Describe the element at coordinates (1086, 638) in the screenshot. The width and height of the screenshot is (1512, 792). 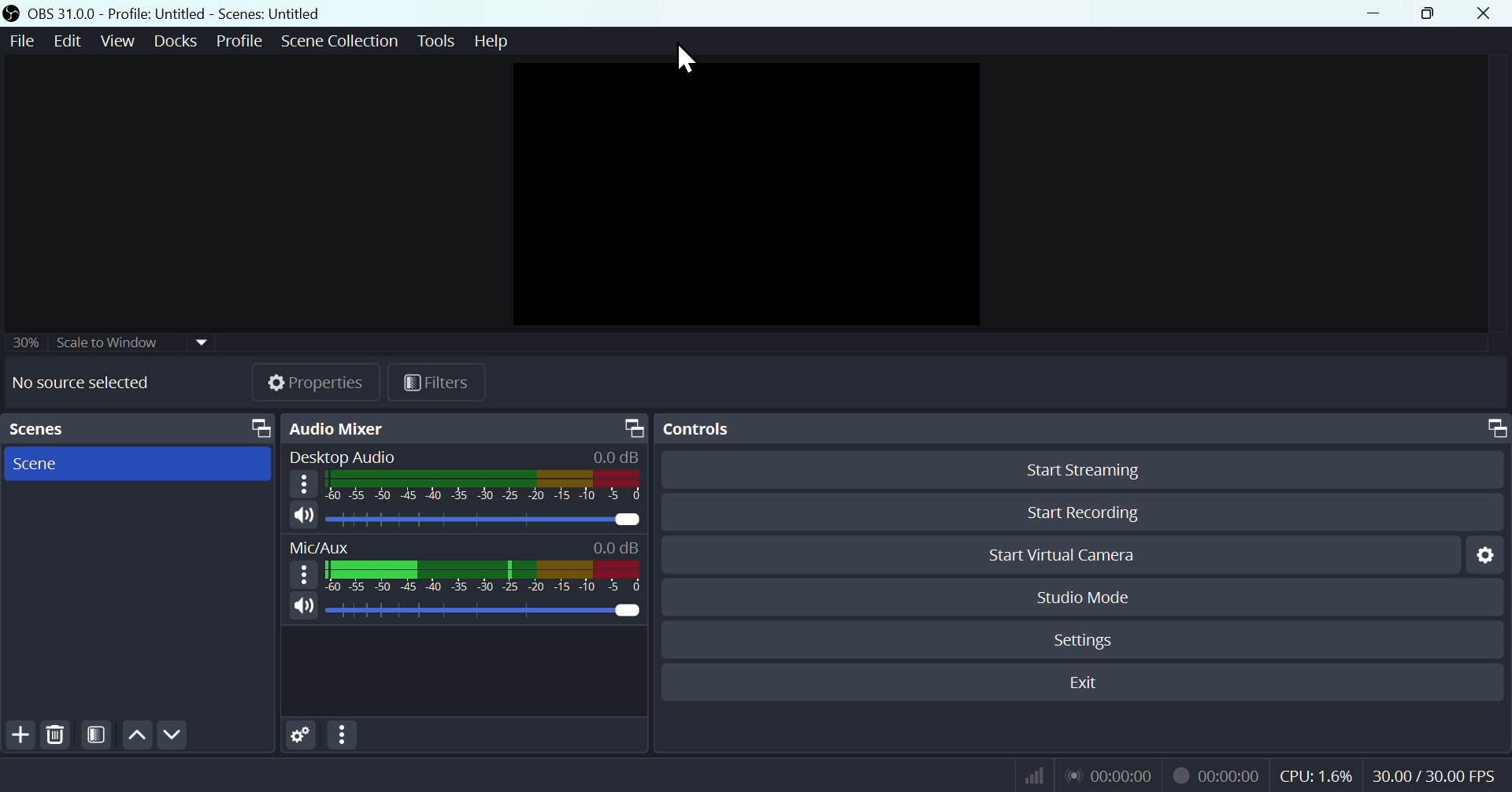
I see `Settings` at that location.